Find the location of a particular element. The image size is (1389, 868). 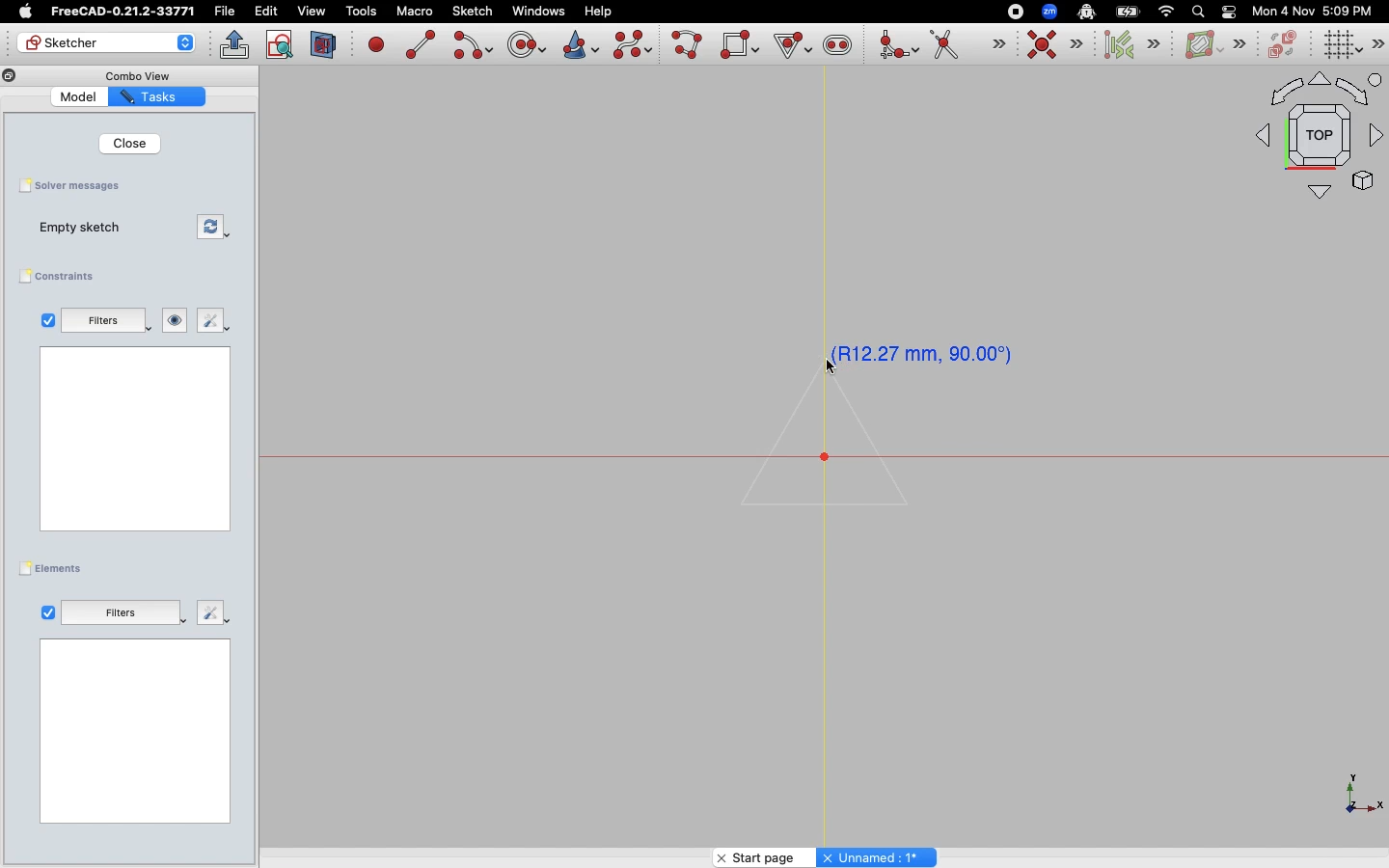

Triangle is located at coordinates (829, 440).